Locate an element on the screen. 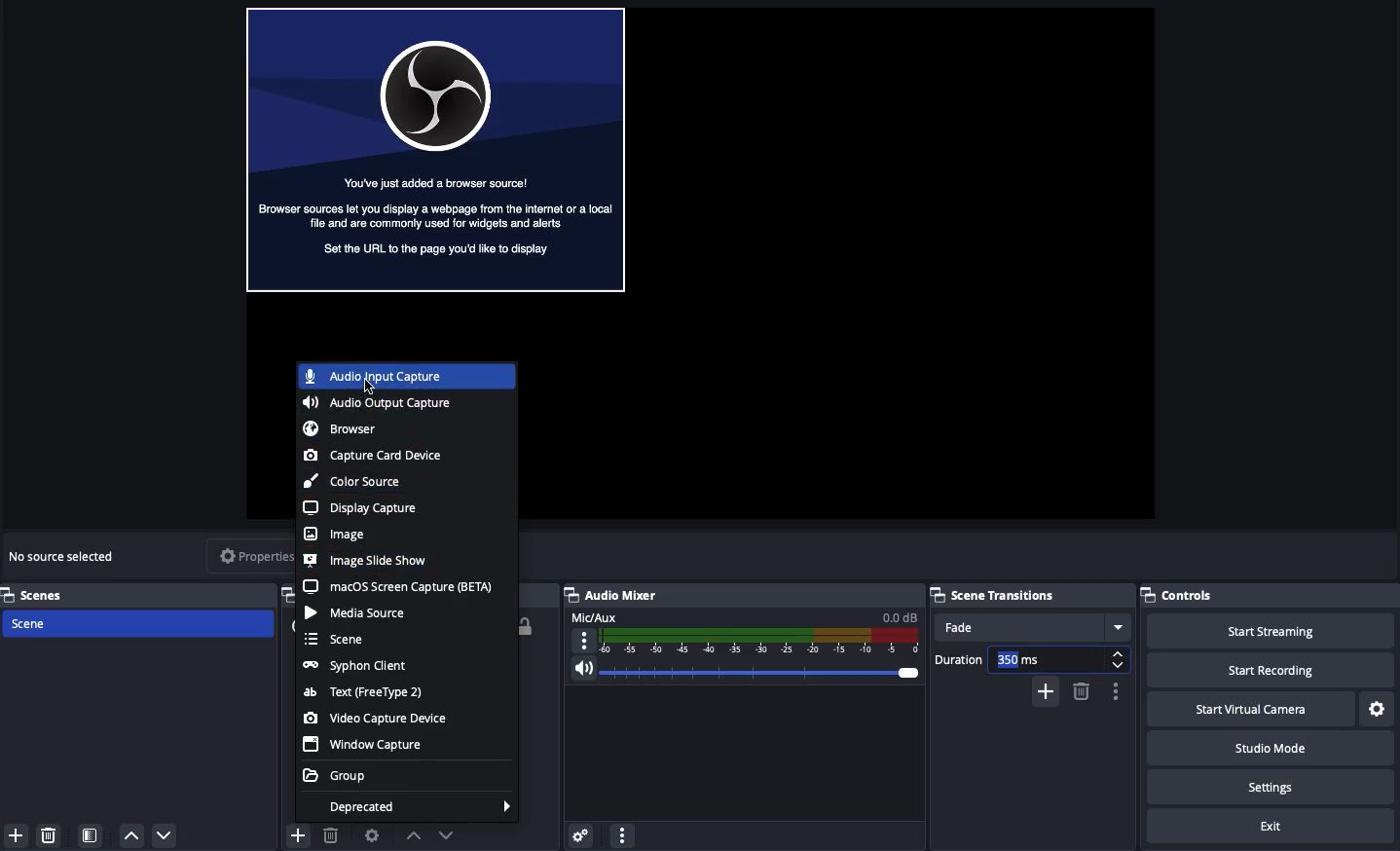  Mic/aux is located at coordinates (743, 634).